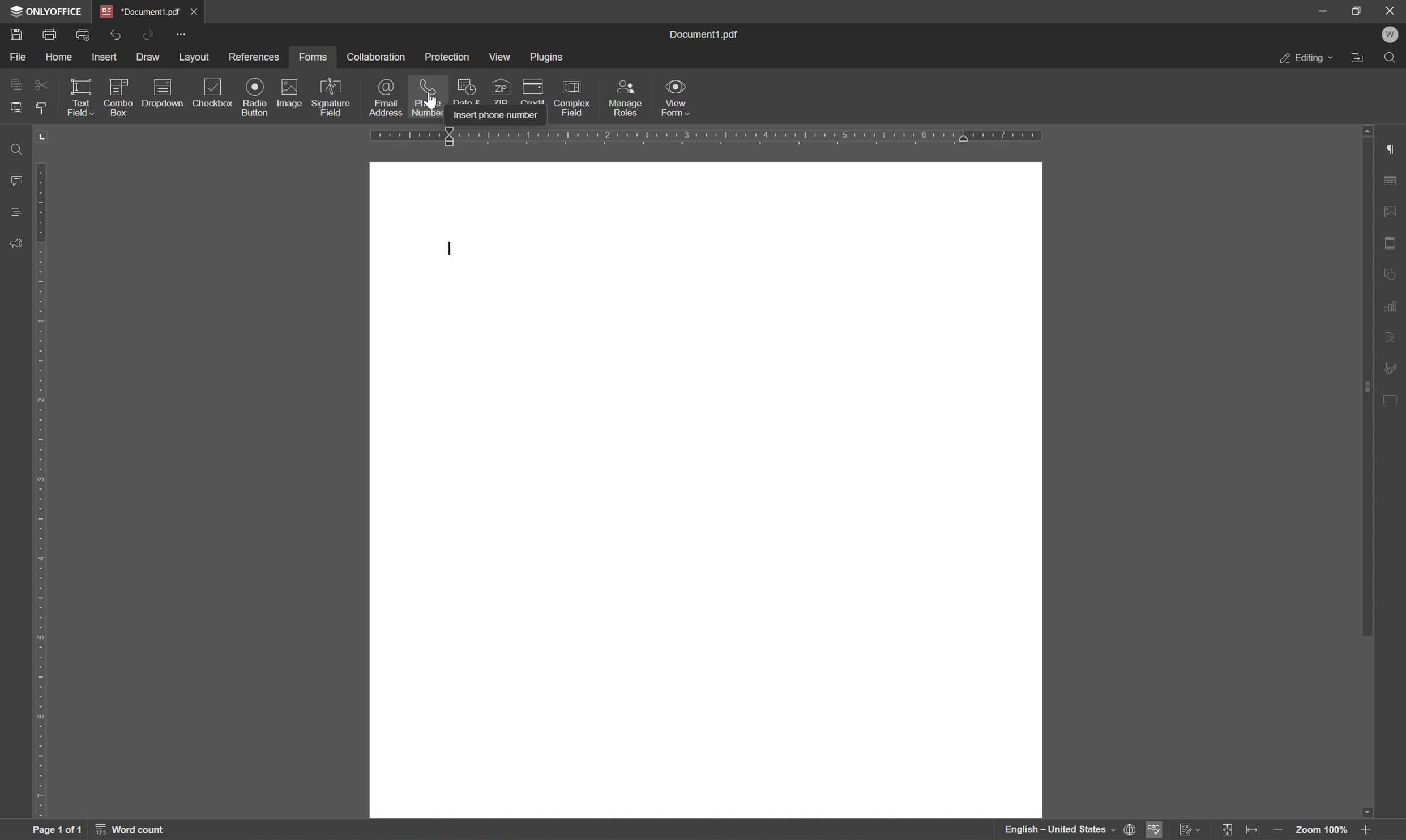 The image size is (1406, 840). I want to click on editing, so click(1306, 58).